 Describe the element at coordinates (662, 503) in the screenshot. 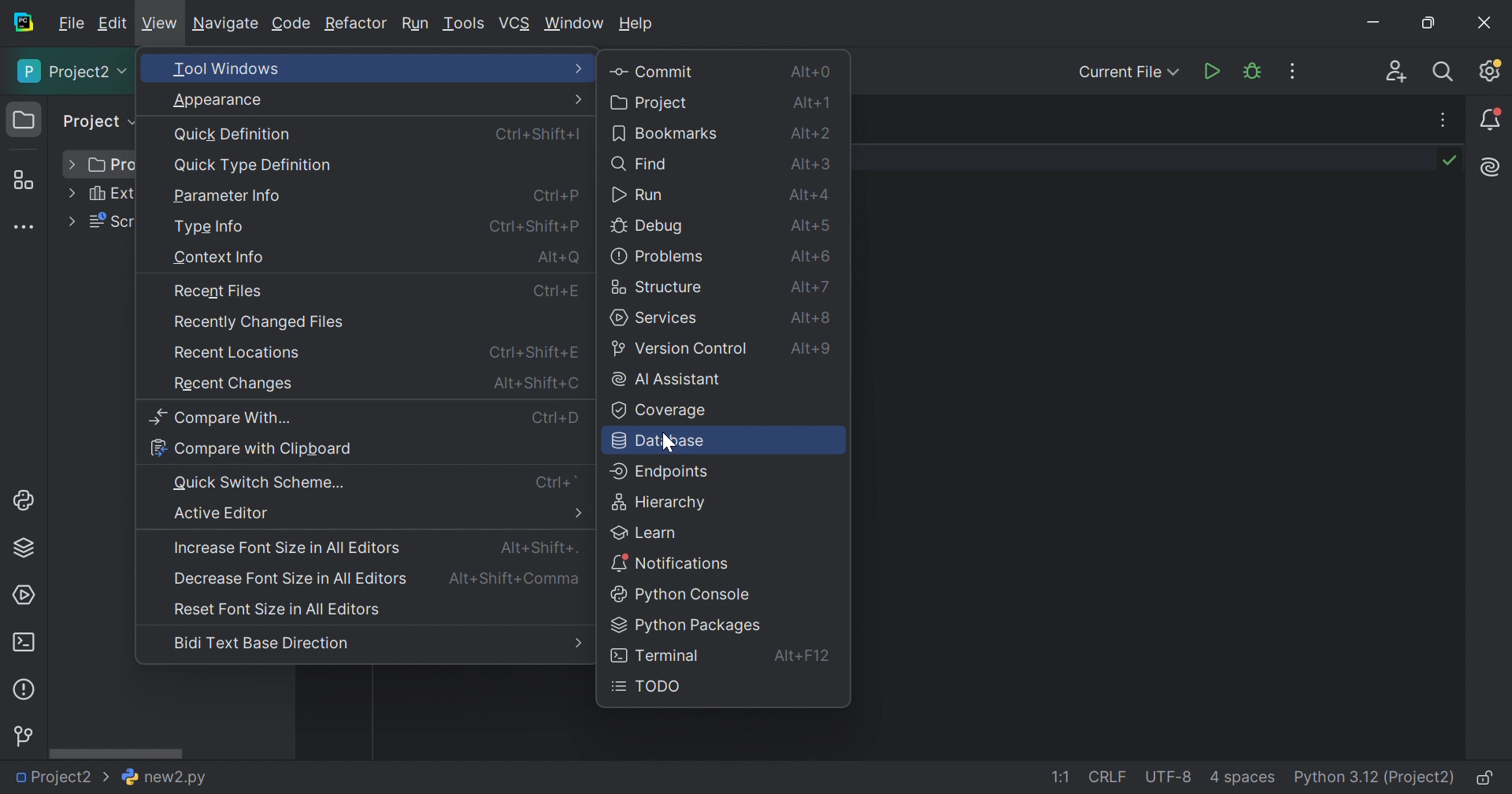

I see `Hierarchy` at that location.